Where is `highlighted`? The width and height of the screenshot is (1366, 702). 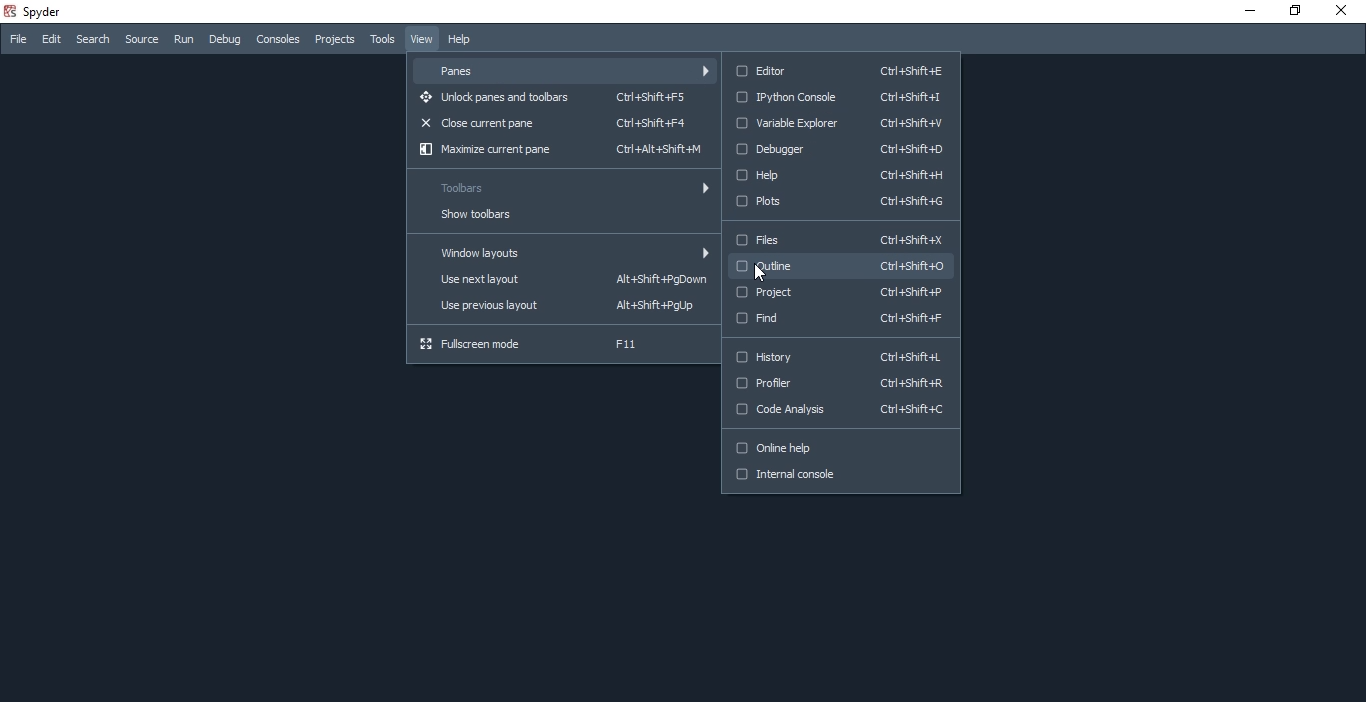 highlighted is located at coordinates (846, 266).